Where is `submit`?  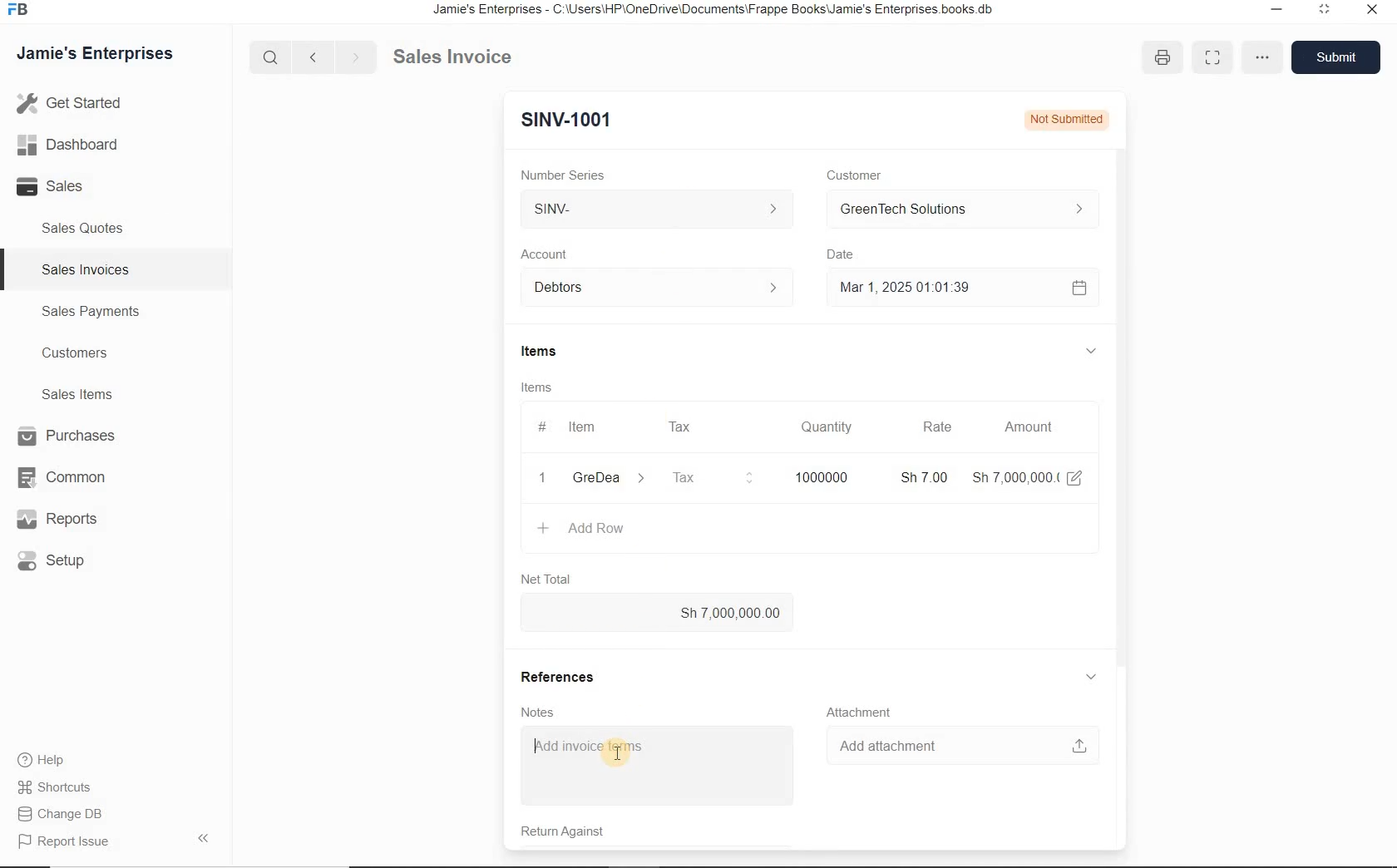
submit is located at coordinates (1338, 57).